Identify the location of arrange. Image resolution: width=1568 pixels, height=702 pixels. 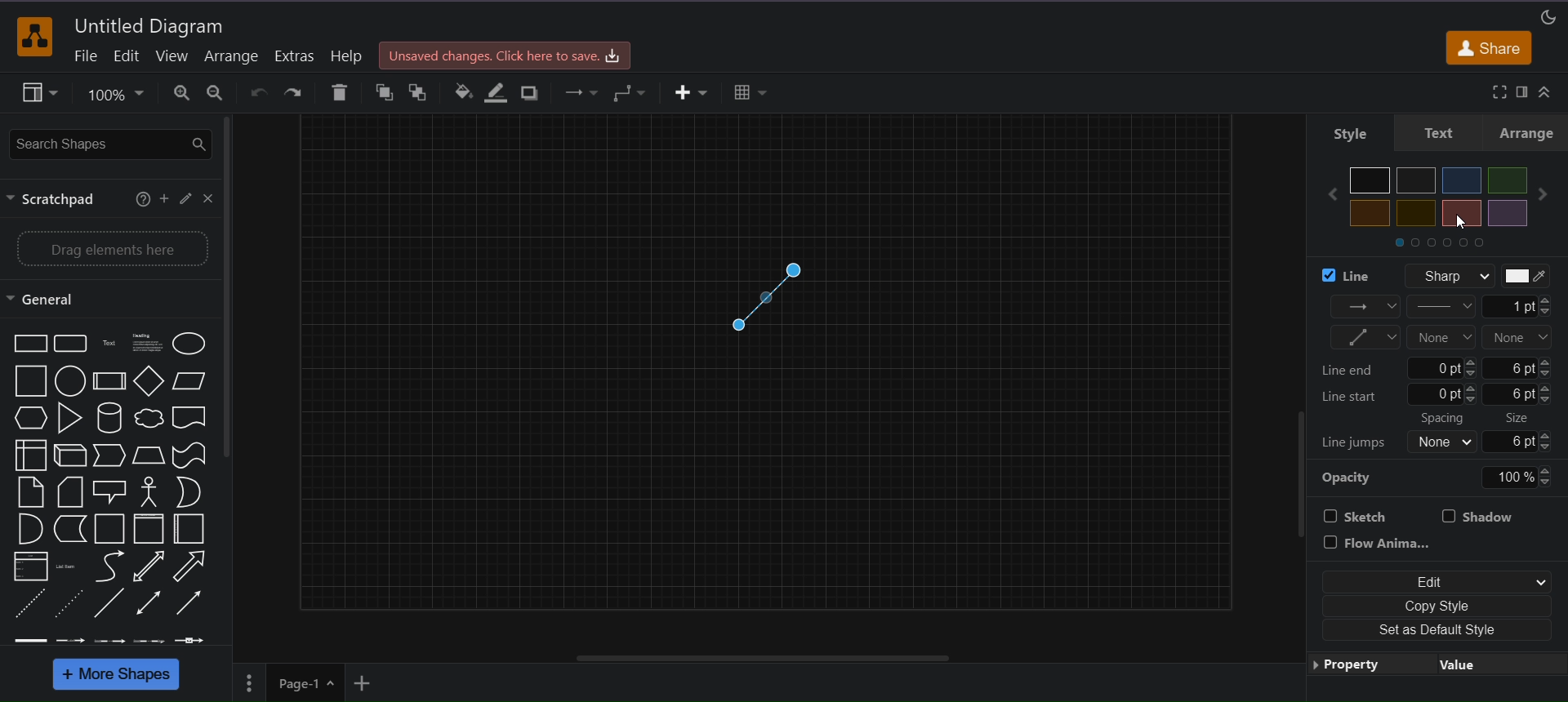
(1530, 136).